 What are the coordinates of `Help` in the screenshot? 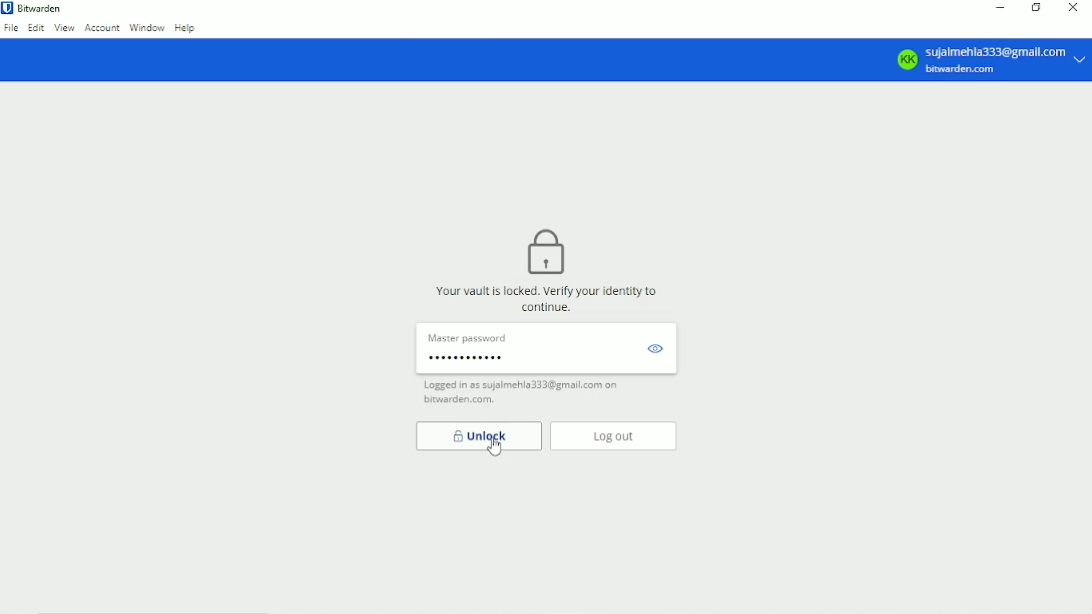 It's located at (188, 28).